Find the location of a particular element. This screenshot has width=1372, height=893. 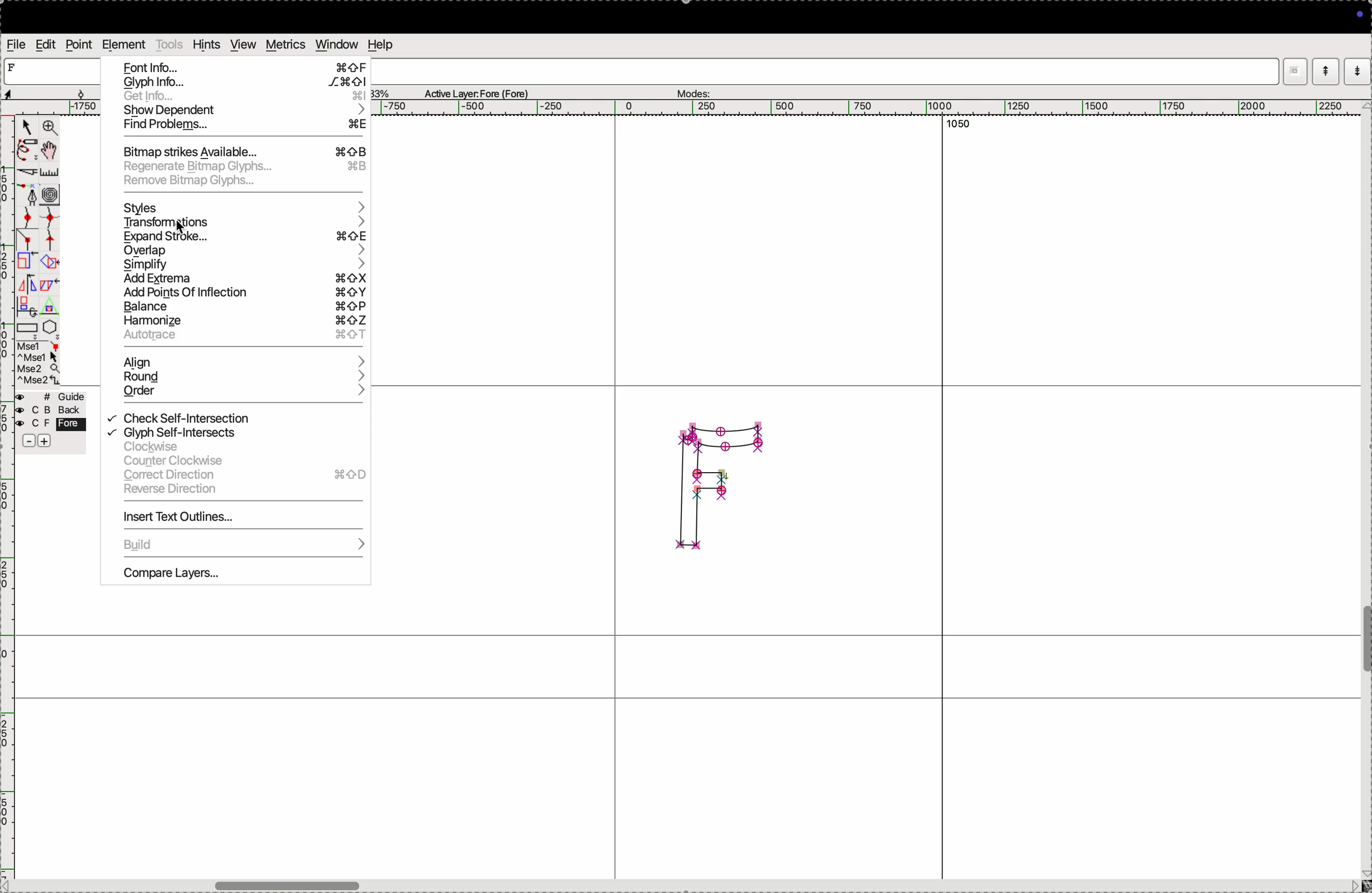

remove bit map glyph is located at coordinates (243, 182).